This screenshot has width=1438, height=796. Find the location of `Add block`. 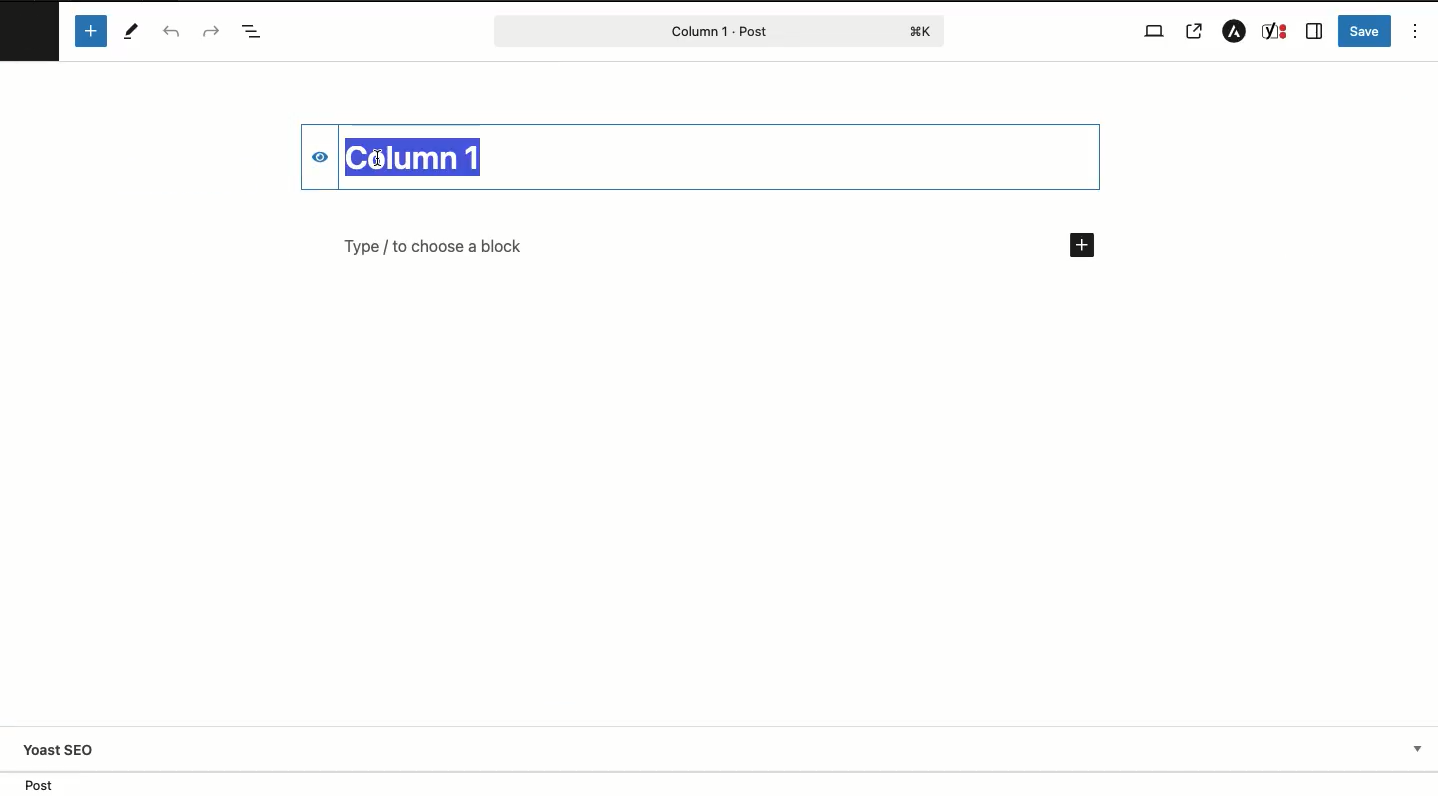

Add block is located at coordinates (90, 31).